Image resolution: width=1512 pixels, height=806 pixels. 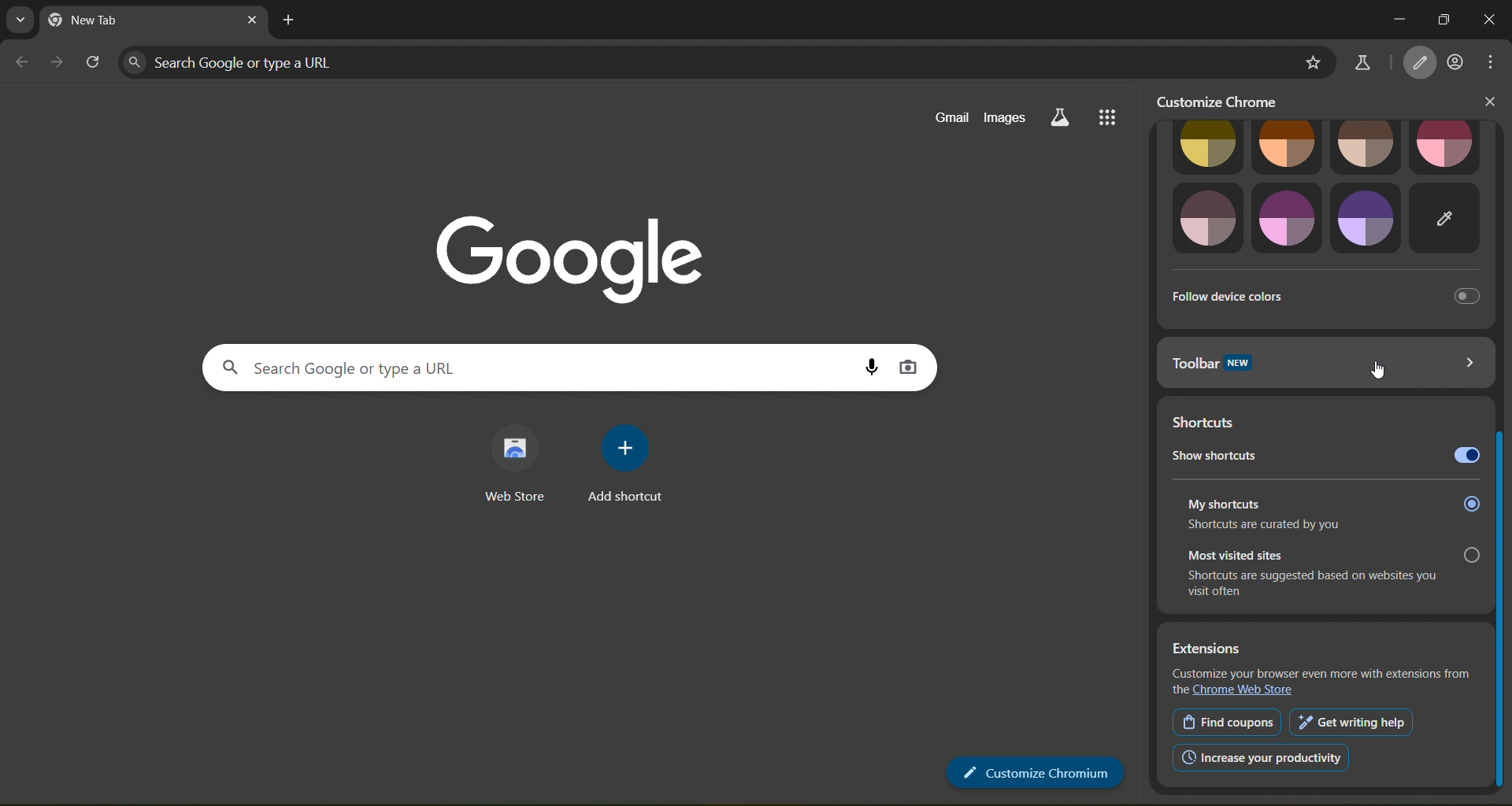 I want to click on customize chrome, so click(x=1421, y=63).